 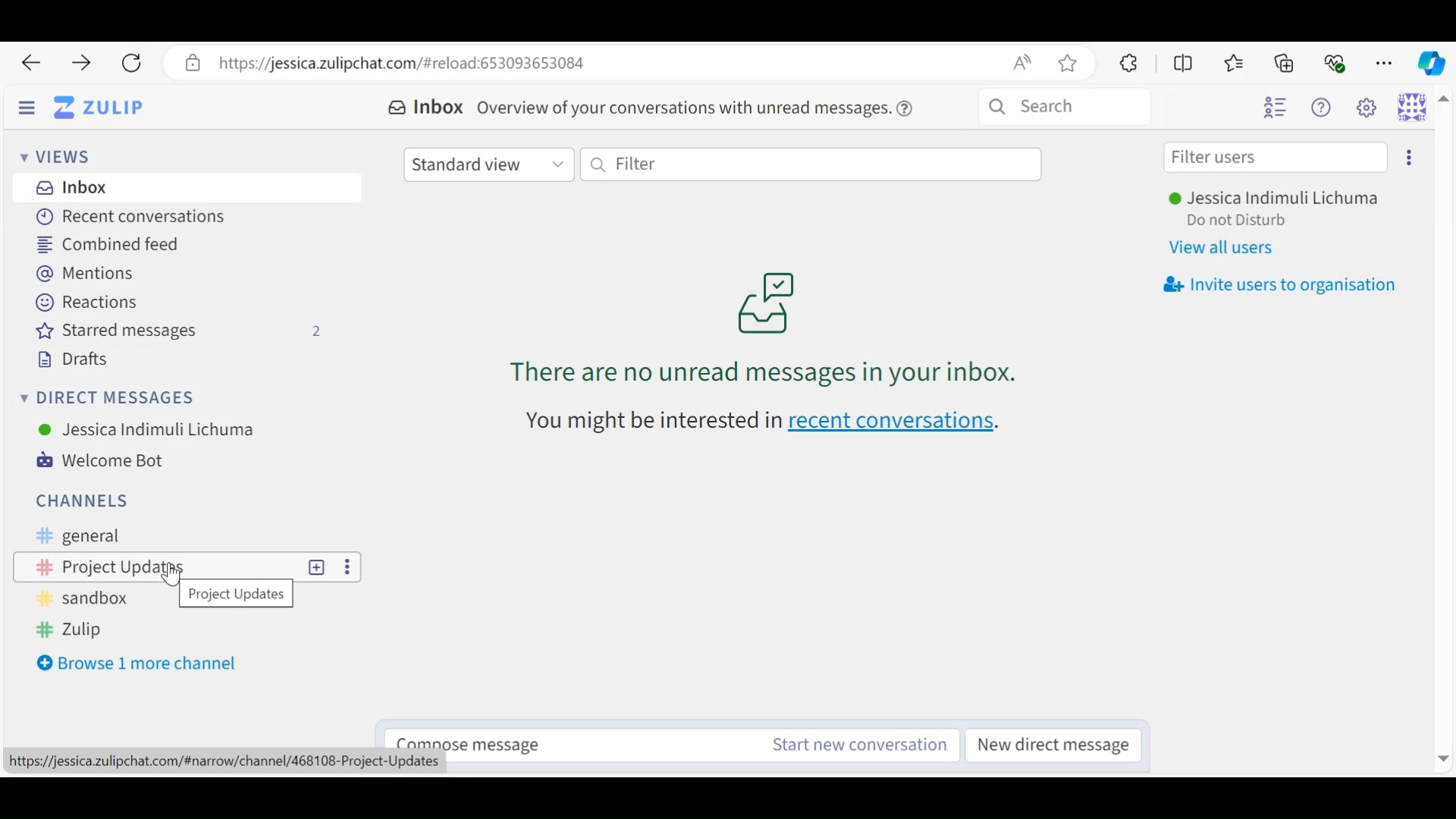 I want to click on url, so click(x=227, y=764).